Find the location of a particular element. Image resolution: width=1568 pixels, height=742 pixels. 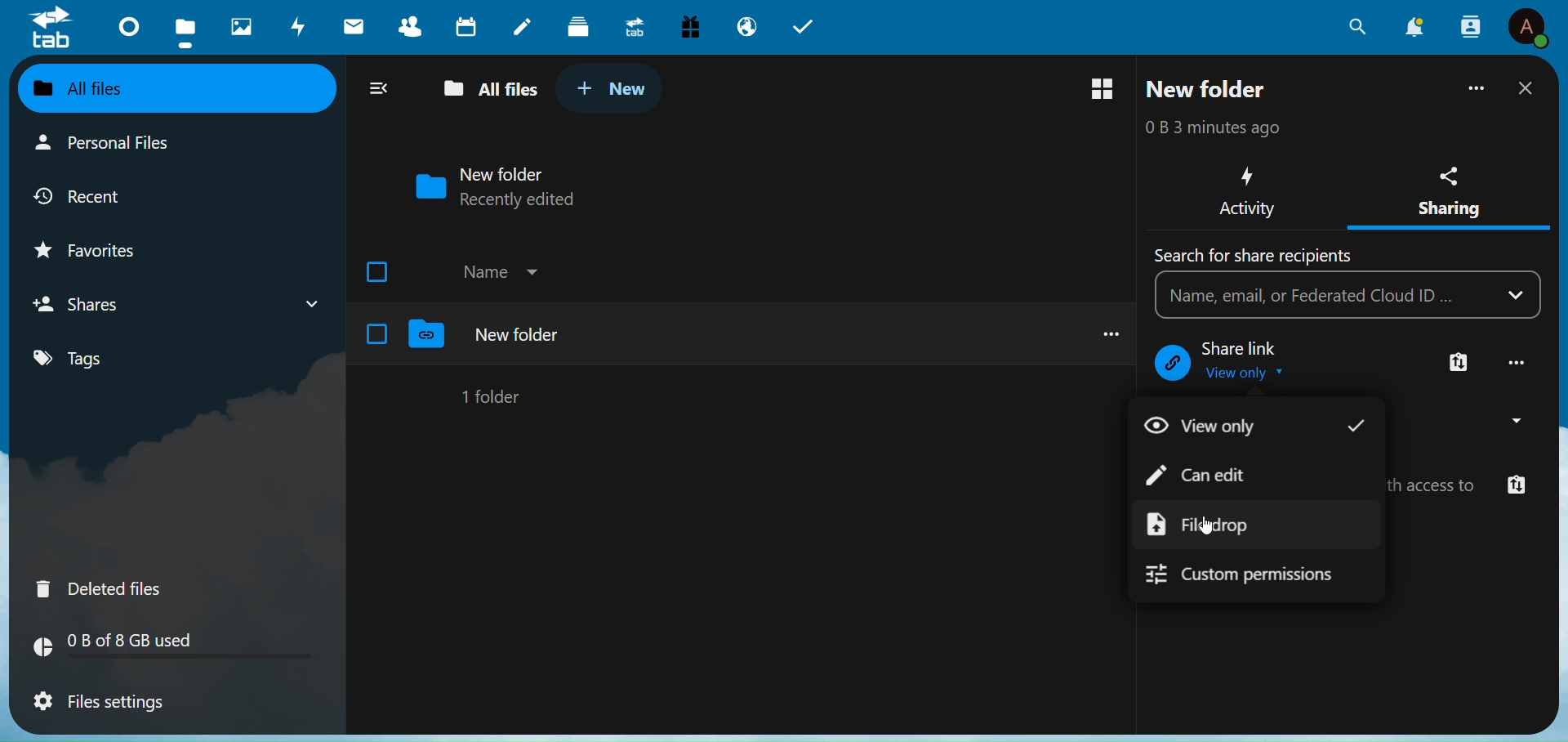

1 Folder is located at coordinates (495, 396).